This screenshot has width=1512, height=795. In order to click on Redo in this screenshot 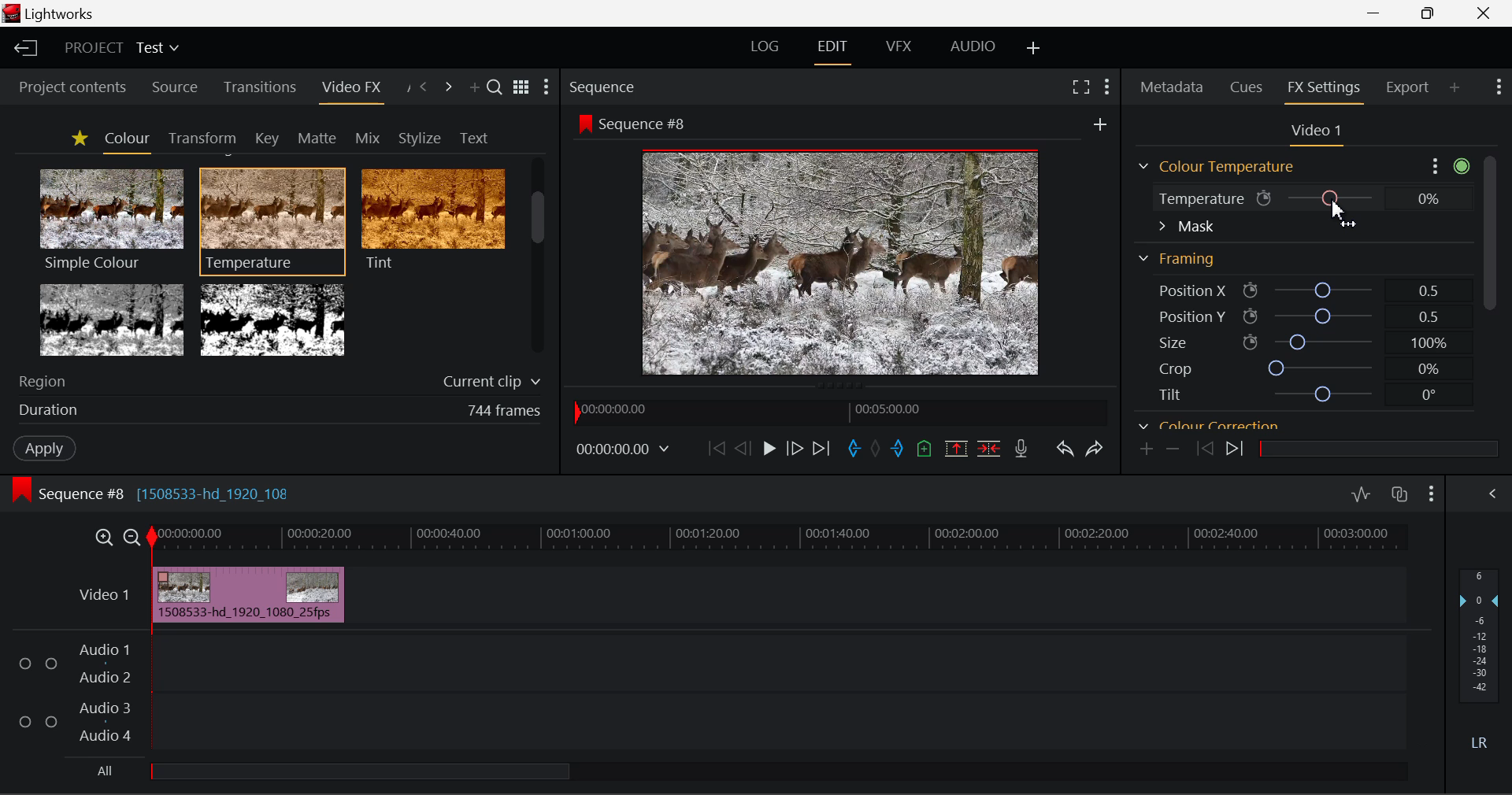, I will do `click(1098, 449)`.